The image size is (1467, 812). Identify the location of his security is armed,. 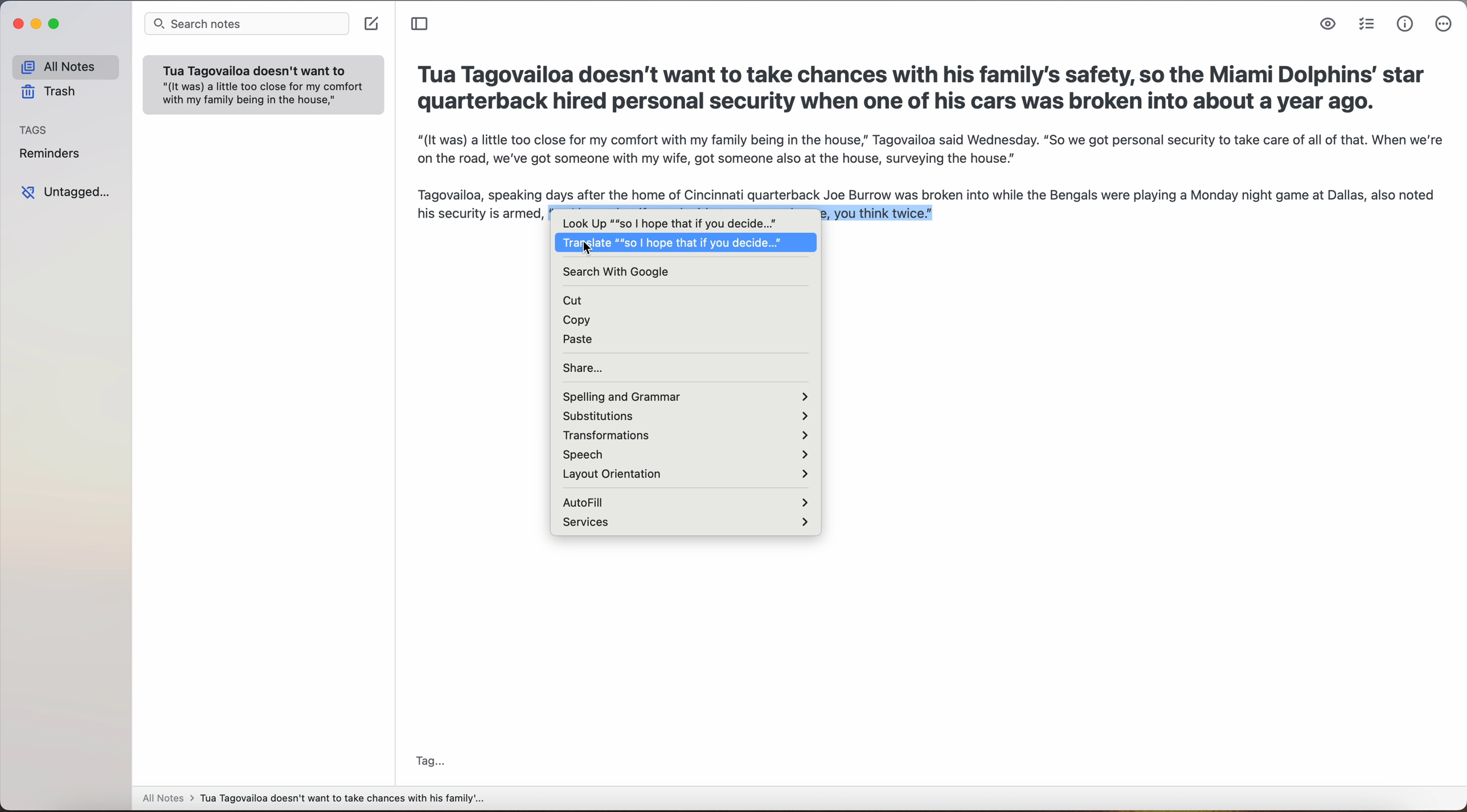
(480, 214).